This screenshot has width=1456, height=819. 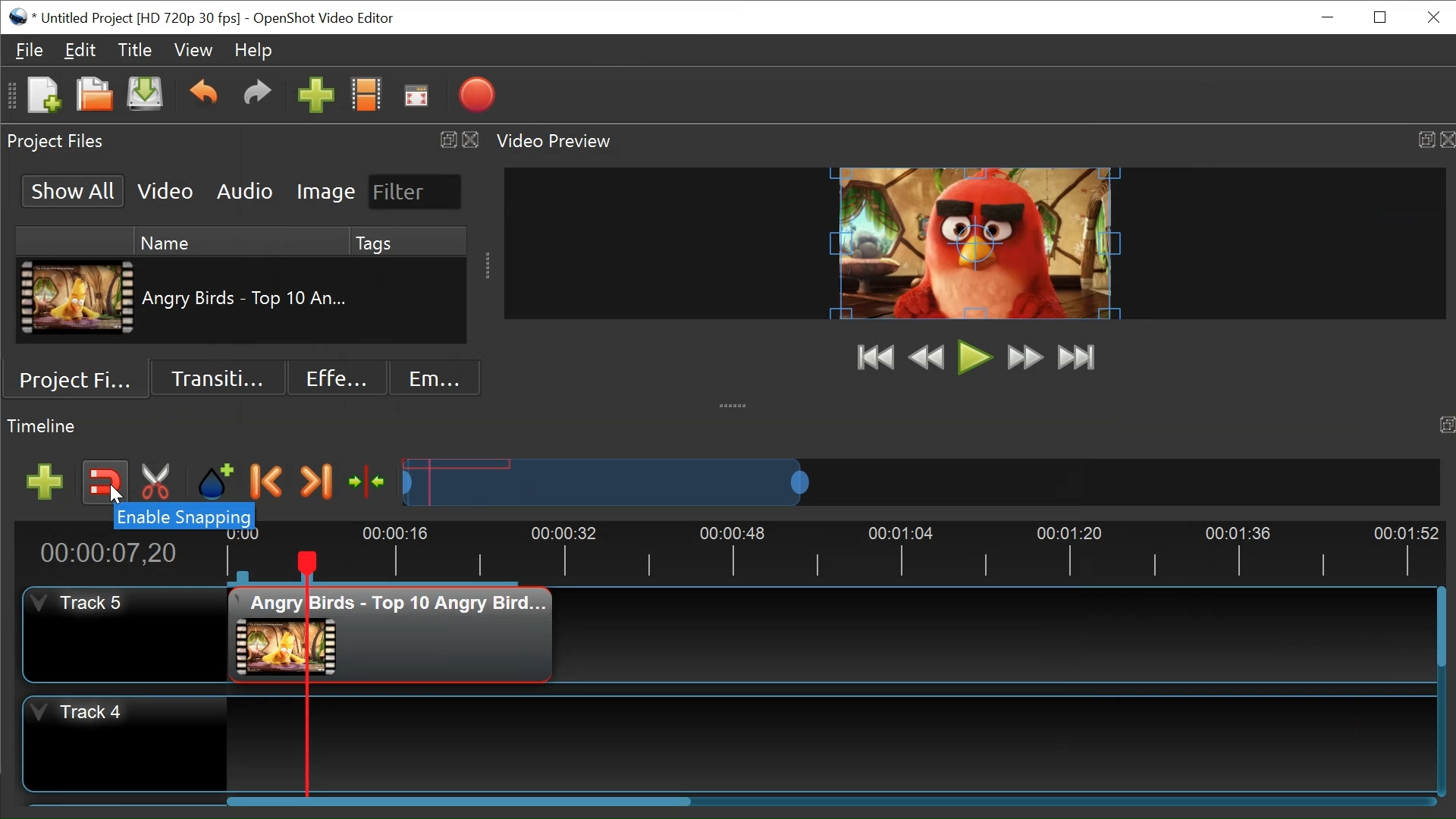 What do you see at coordinates (830, 742) in the screenshot?
I see `Track Panel` at bounding box center [830, 742].